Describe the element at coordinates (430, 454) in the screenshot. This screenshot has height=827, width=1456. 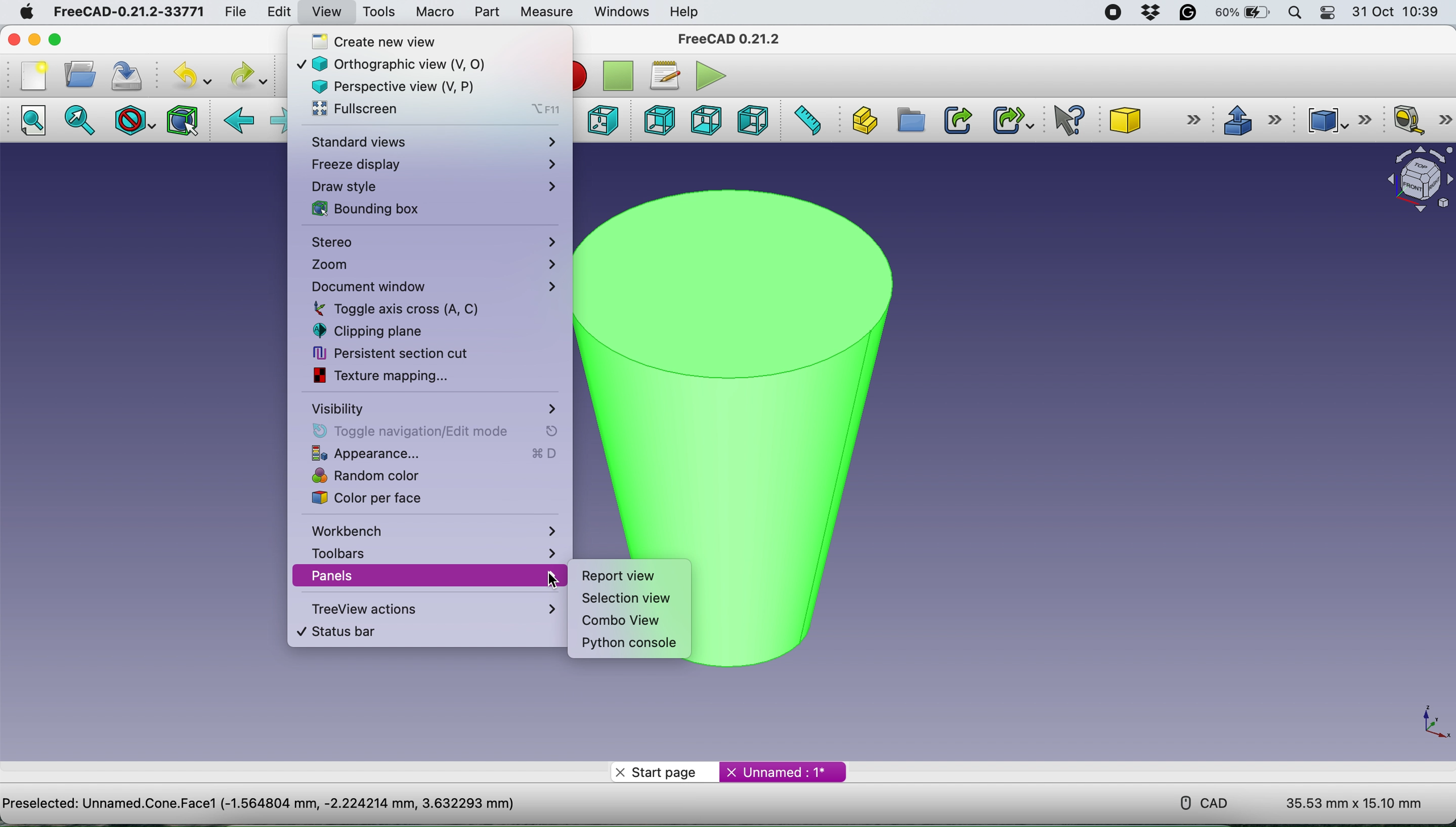
I see `appearance` at that location.